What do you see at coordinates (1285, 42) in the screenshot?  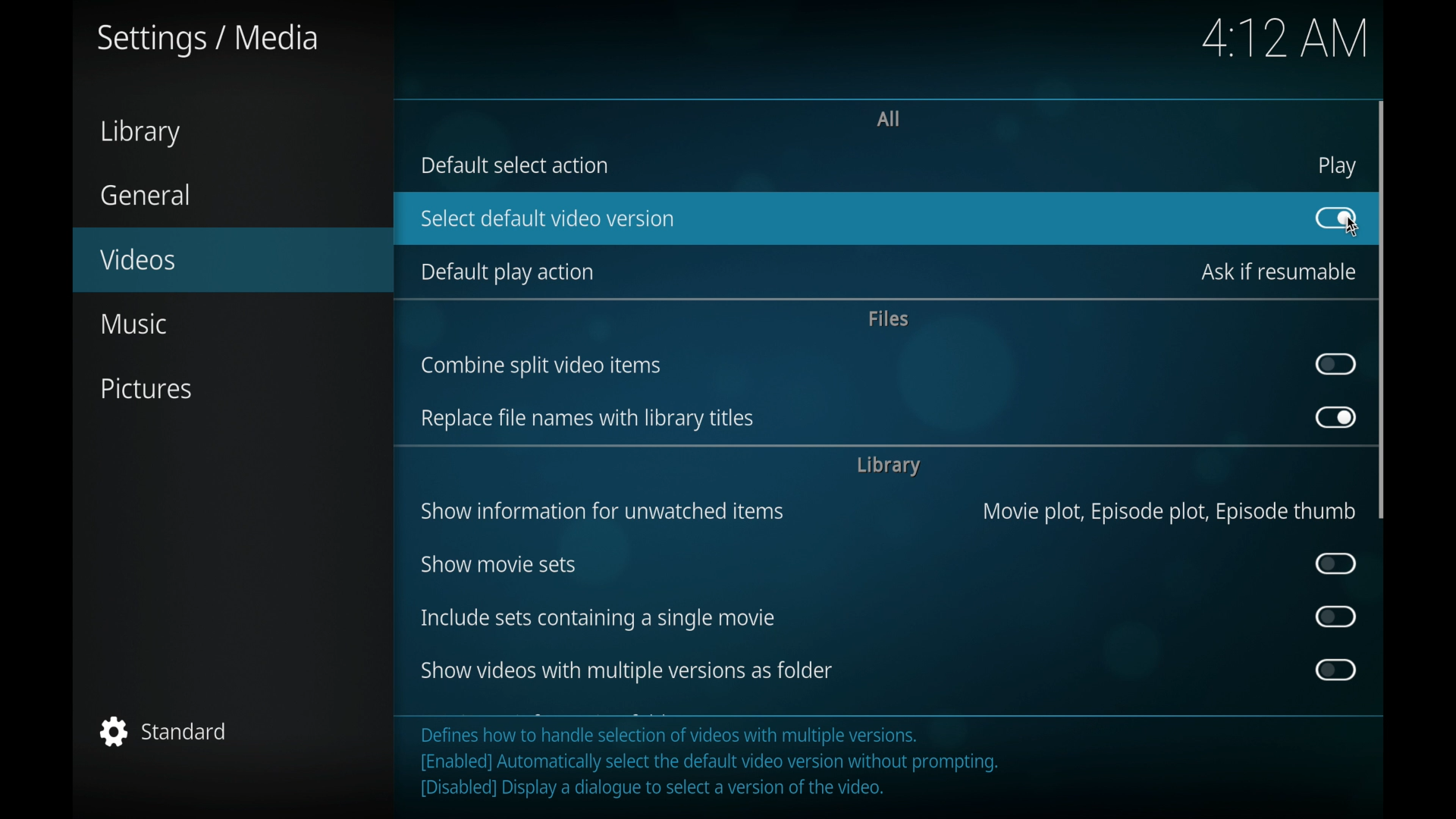 I see `4:17 AM` at bounding box center [1285, 42].